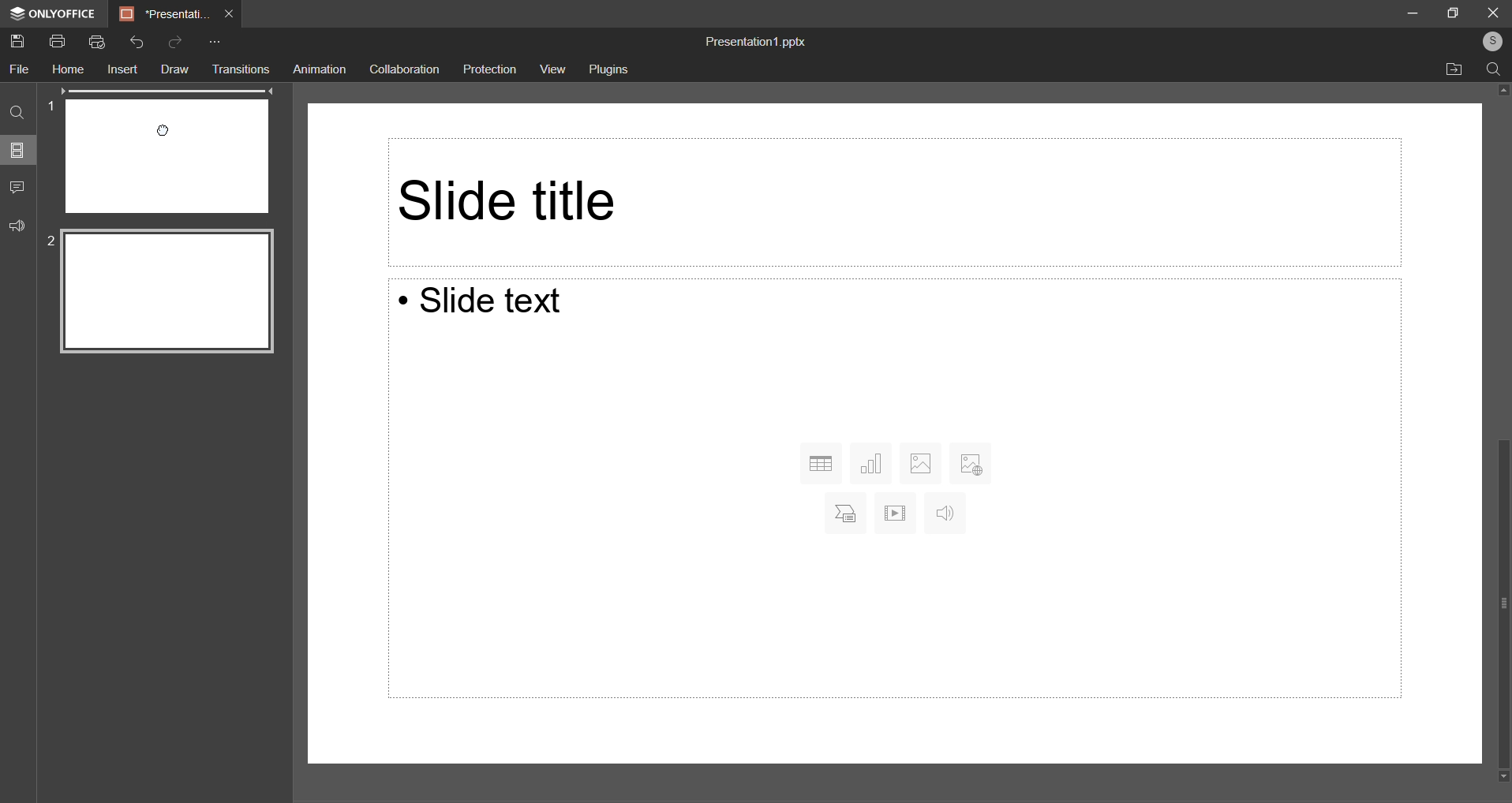  I want to click on Slides, so click(18, 153).